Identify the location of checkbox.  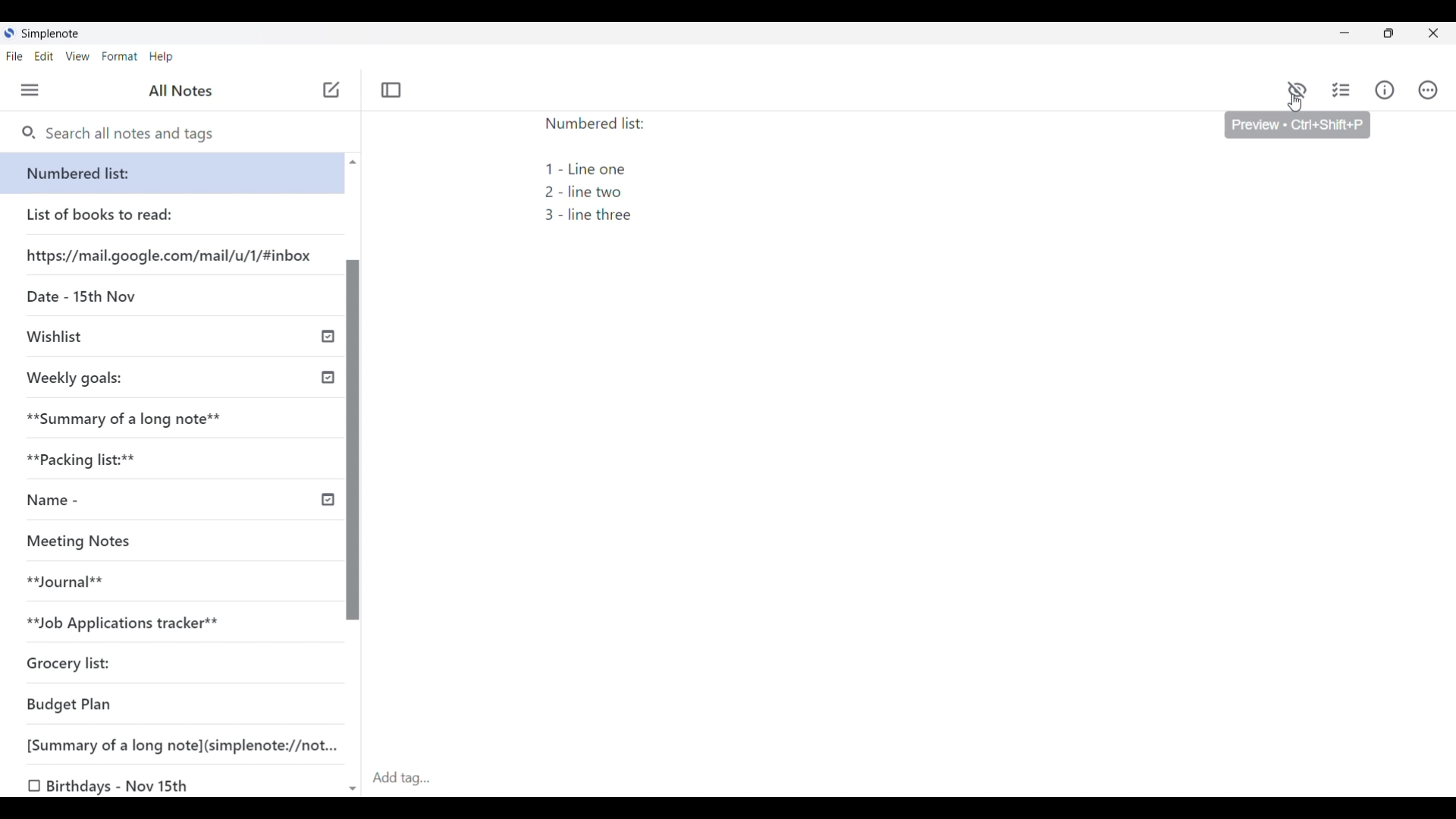
(33, 784).